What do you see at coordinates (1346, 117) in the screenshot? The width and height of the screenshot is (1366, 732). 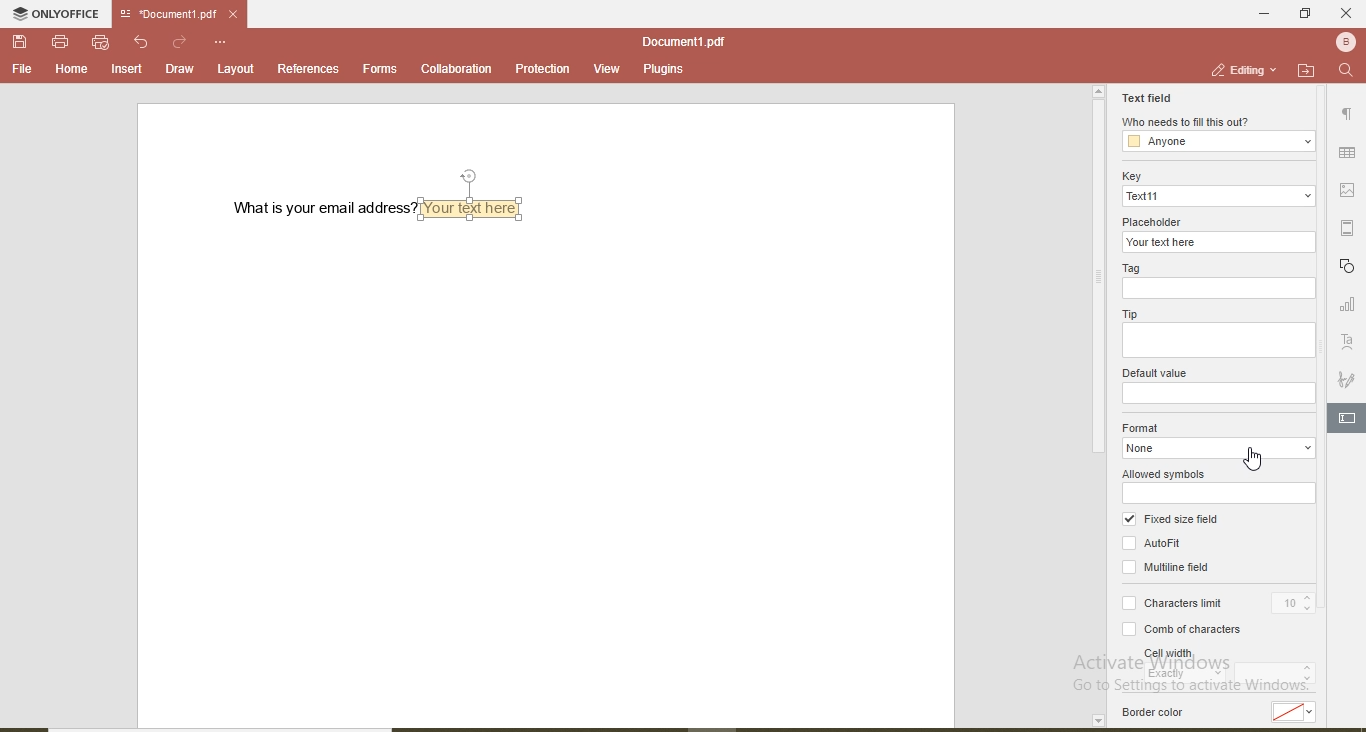 I see `paragraph` at bounding box center [1346, 117].